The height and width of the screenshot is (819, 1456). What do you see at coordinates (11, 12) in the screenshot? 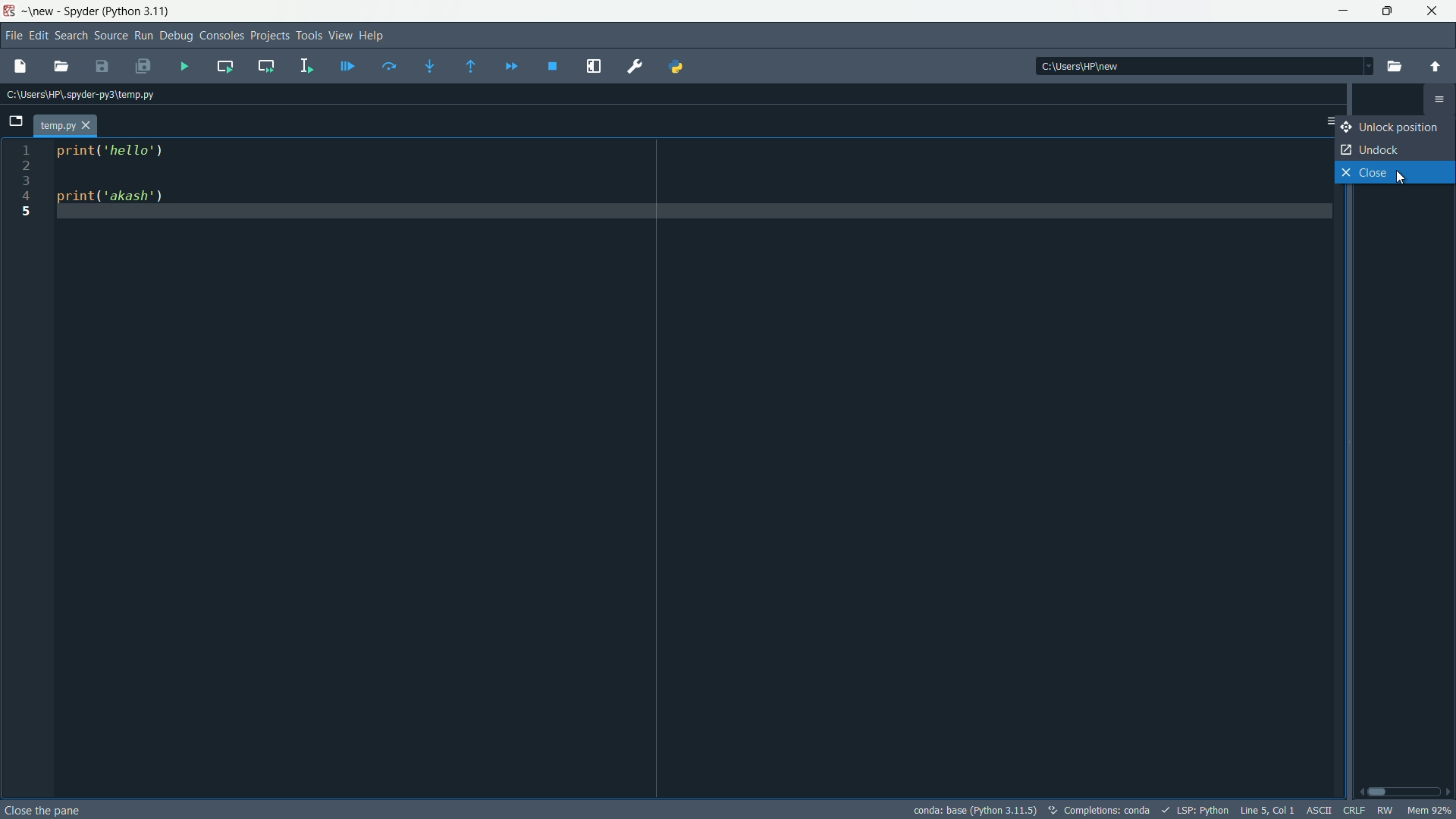
I see `app icon` at bounding box center [11, 12].